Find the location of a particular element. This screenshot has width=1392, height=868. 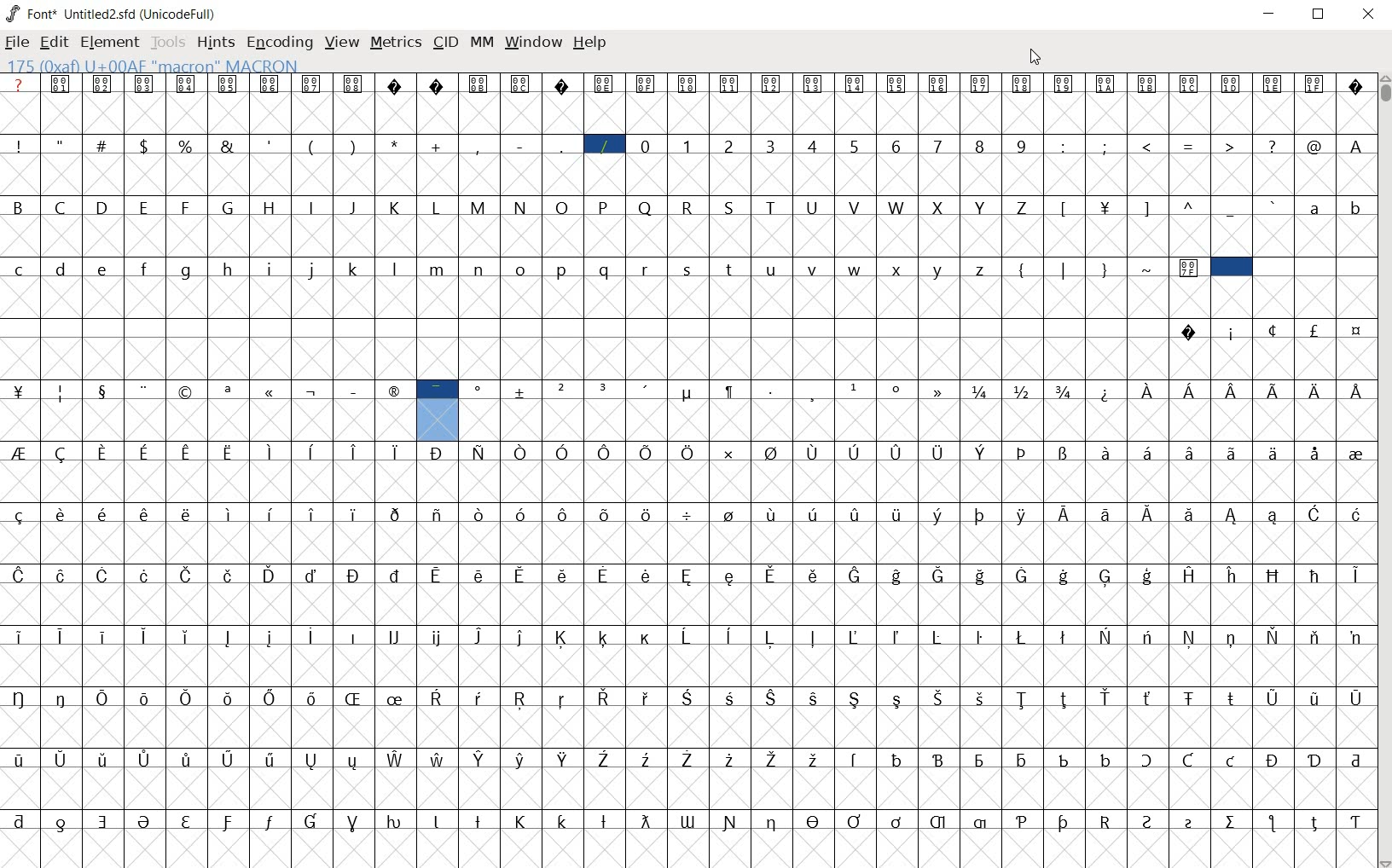

accented characters is located at coordinates (876, 534).